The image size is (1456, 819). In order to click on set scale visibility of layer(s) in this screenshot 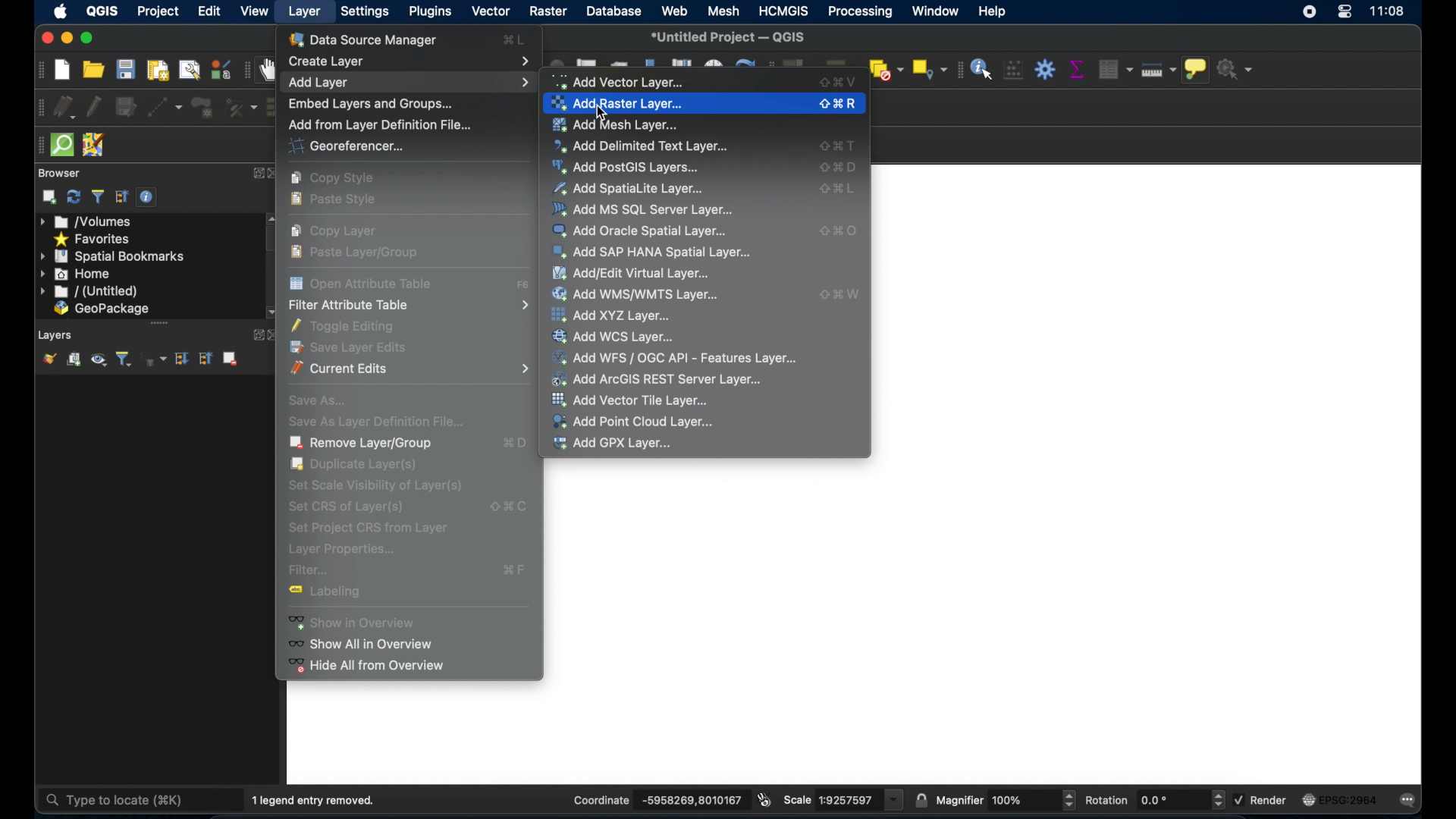, I will do `click(374, 485)`.